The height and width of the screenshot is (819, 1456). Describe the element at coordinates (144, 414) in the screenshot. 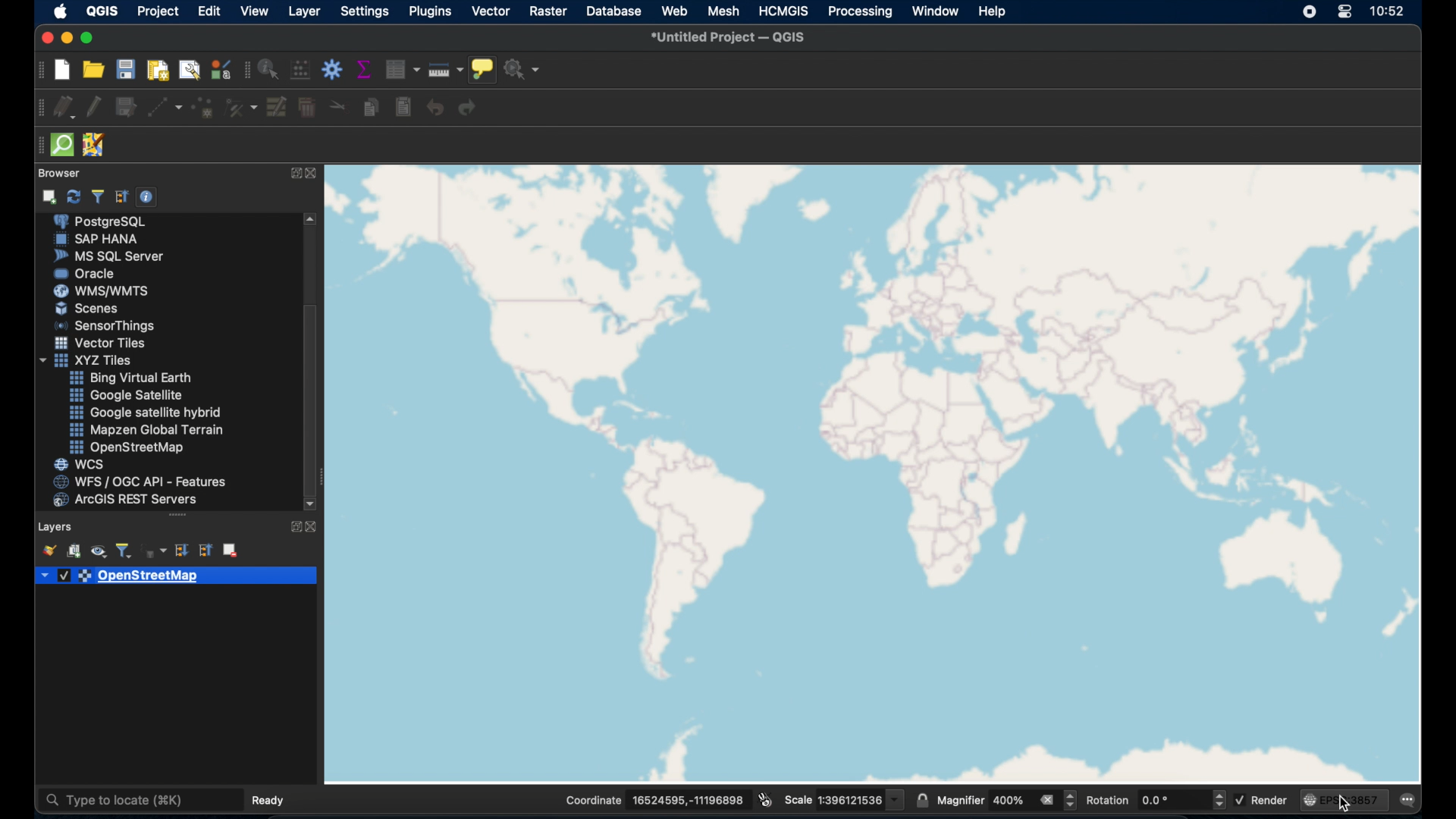

I see `google. satellite hybrid` at that location.